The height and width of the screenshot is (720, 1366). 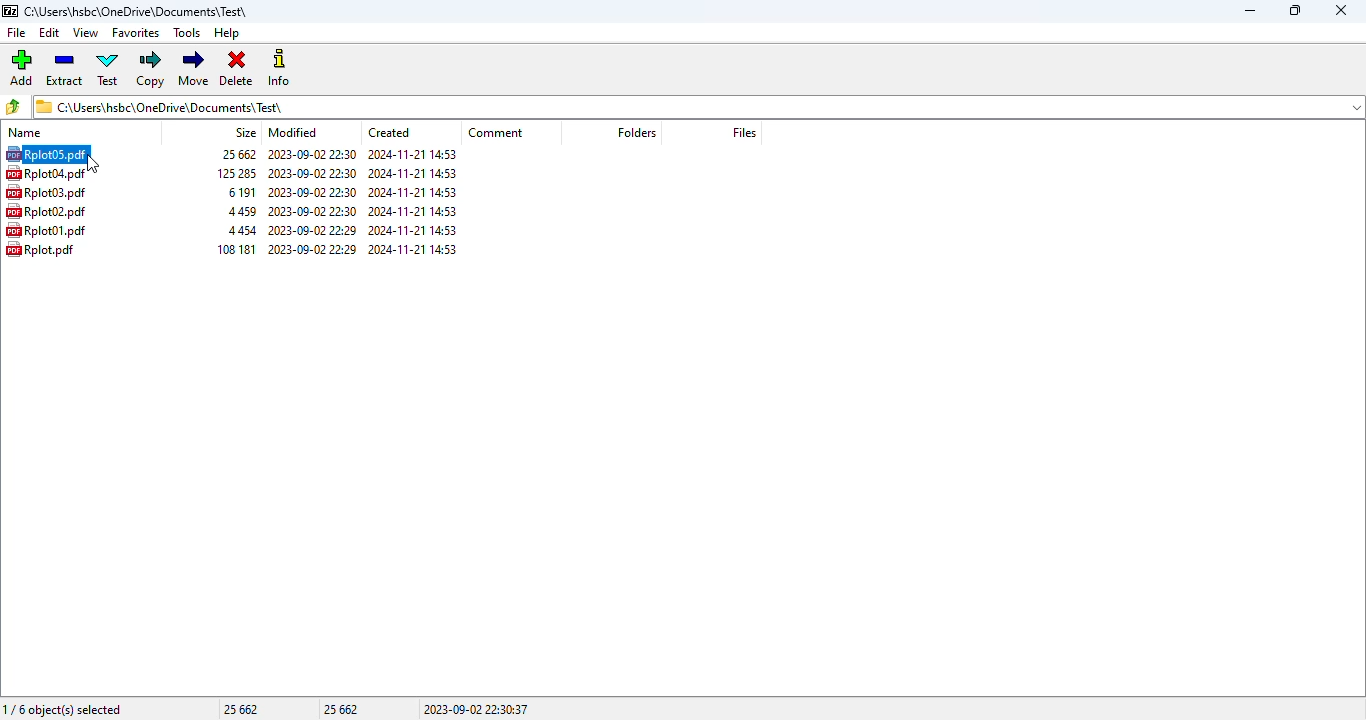 What do you see at coordinates (413, 192) in the screenshot?
I see `created date & time` at bounding box center [413, 192].